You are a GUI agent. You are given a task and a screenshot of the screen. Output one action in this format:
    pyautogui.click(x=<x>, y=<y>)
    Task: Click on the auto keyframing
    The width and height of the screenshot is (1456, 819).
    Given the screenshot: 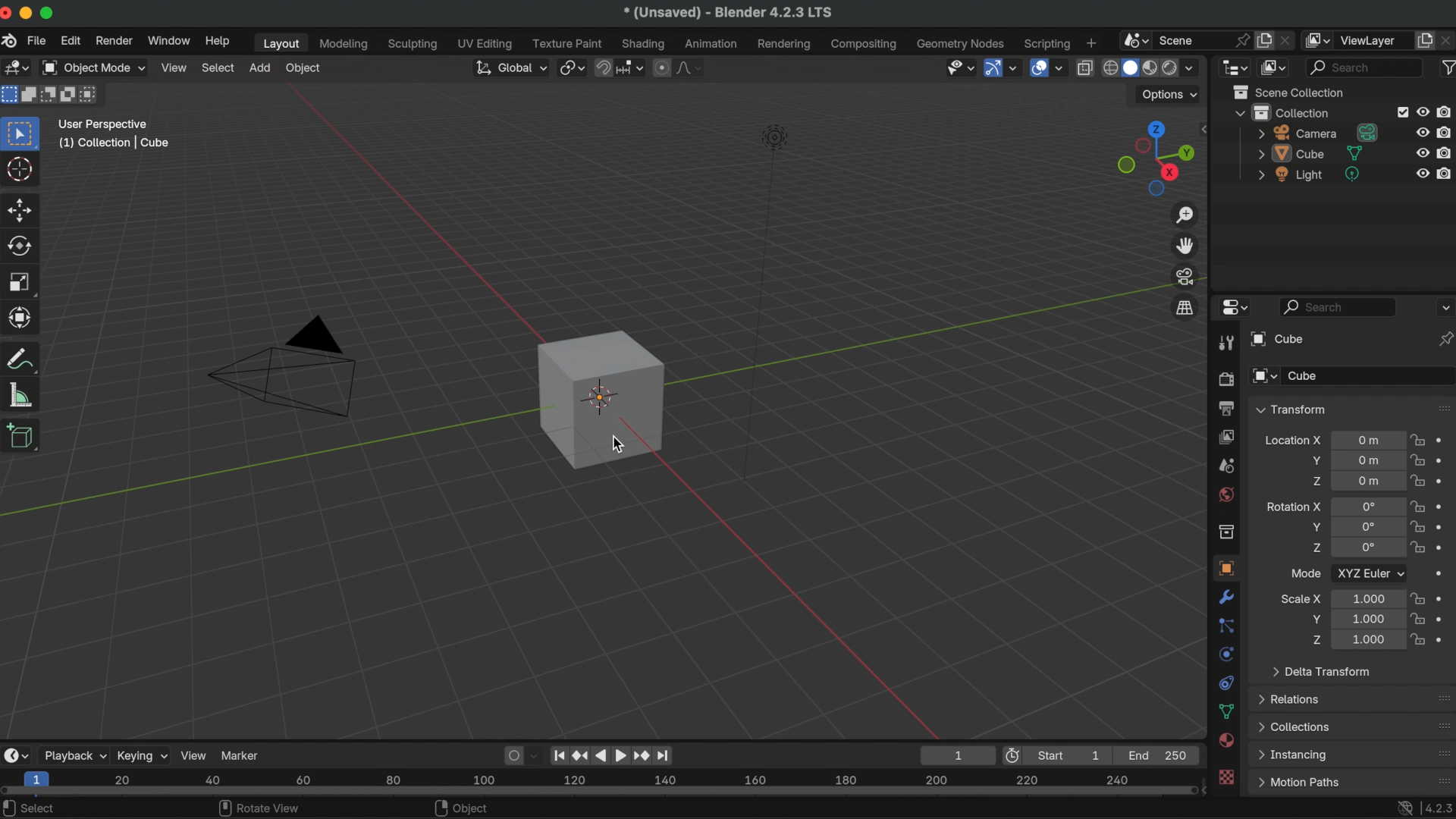 What is the action you would take?
    pyautogui.click(x=537, y=755)
    